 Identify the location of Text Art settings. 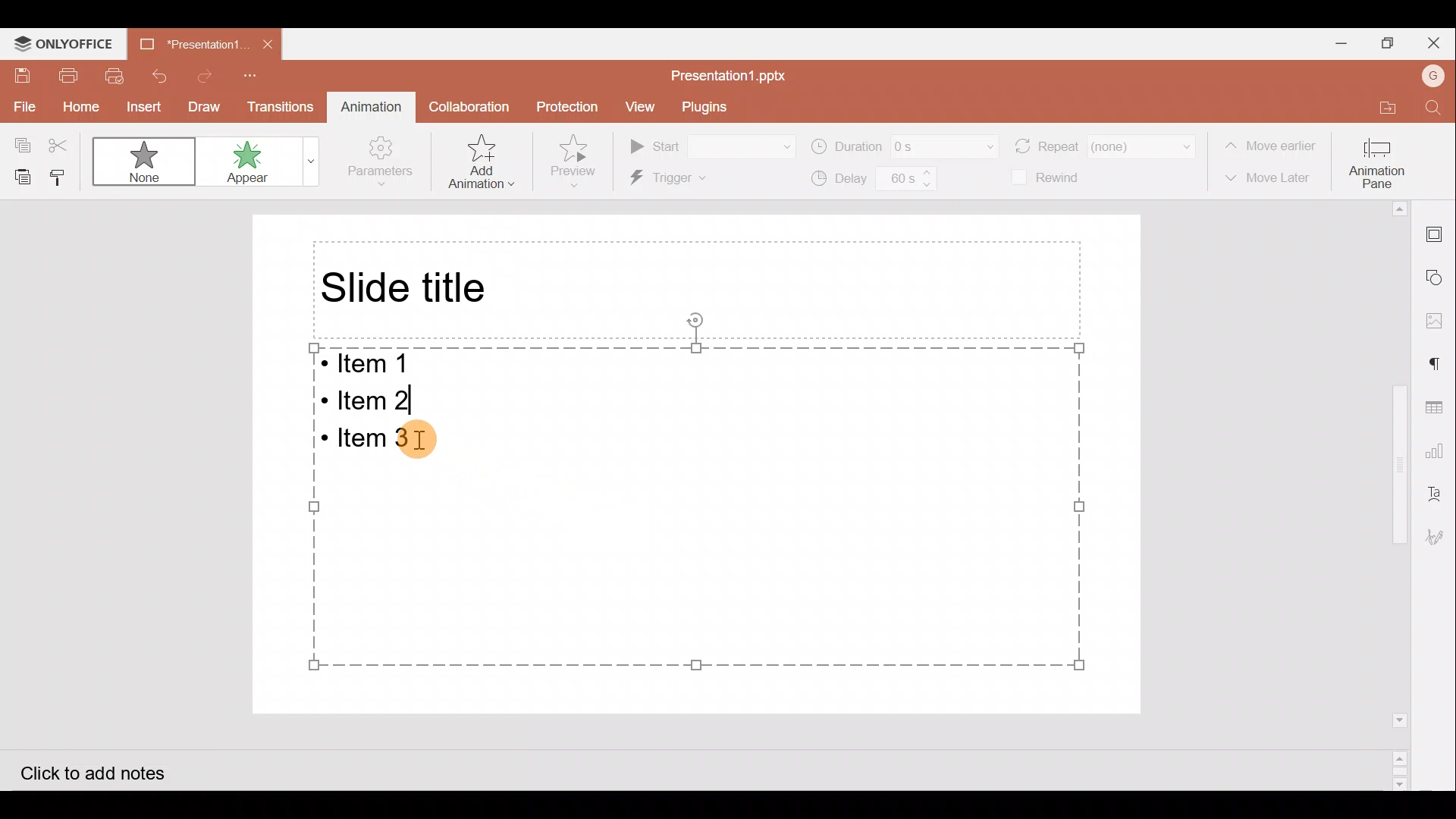
(1441, 490).